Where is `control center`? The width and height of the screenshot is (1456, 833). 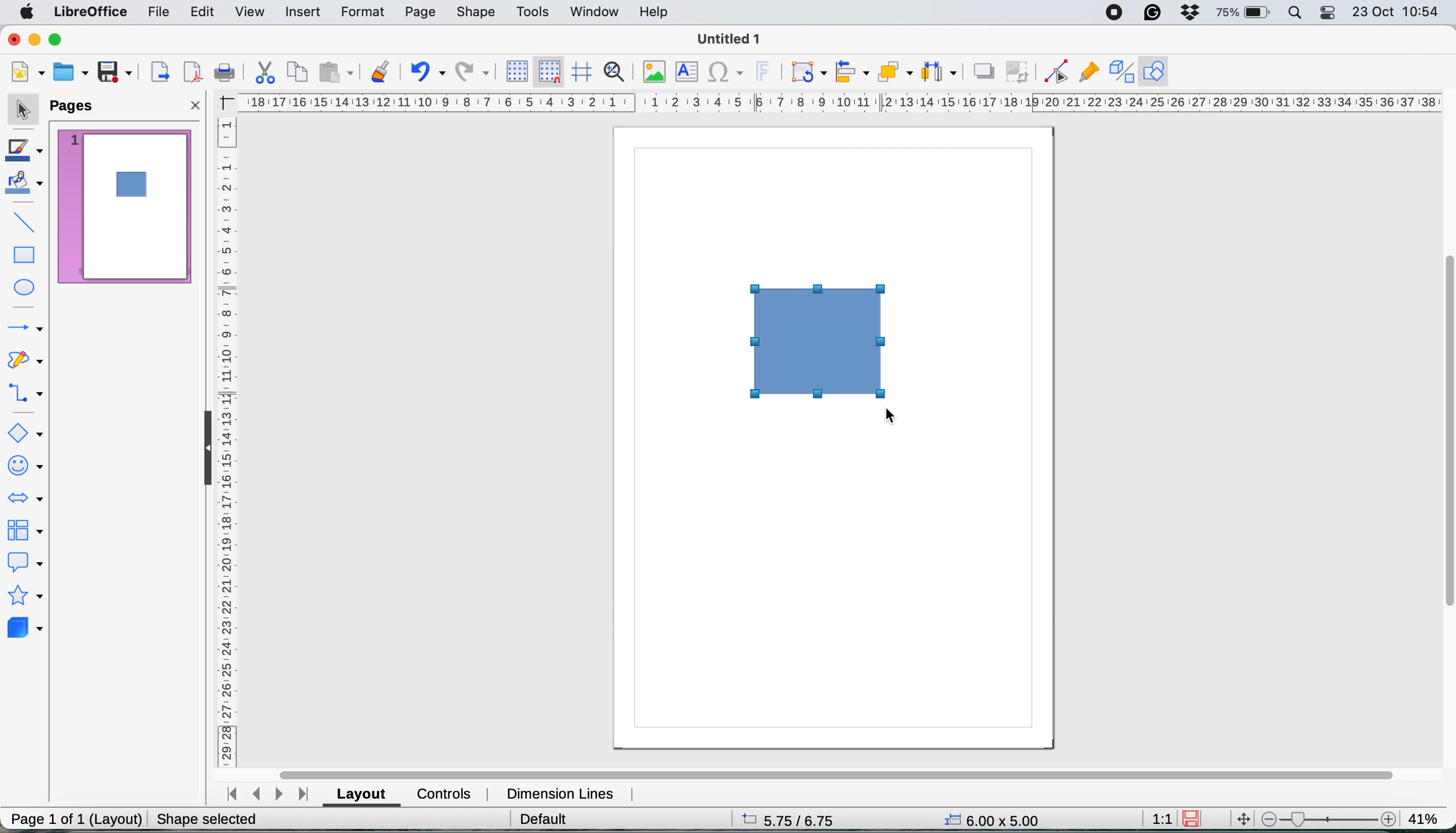
control center is located at coordinates (1329, 12).